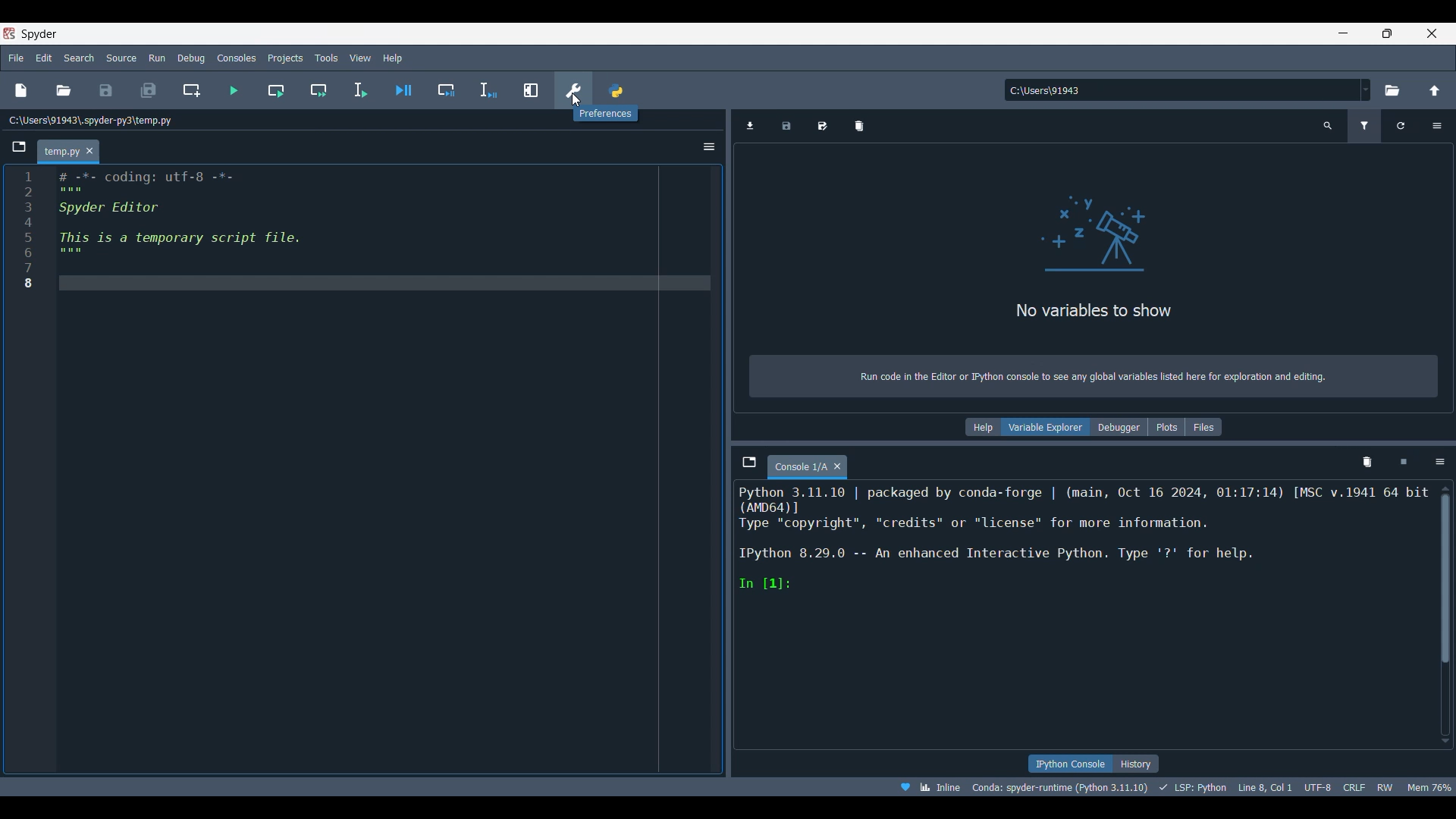 Image resolution: width=1456 pixels, height=819 pixels. I want to click on Consoles menu, so click(236, 58).